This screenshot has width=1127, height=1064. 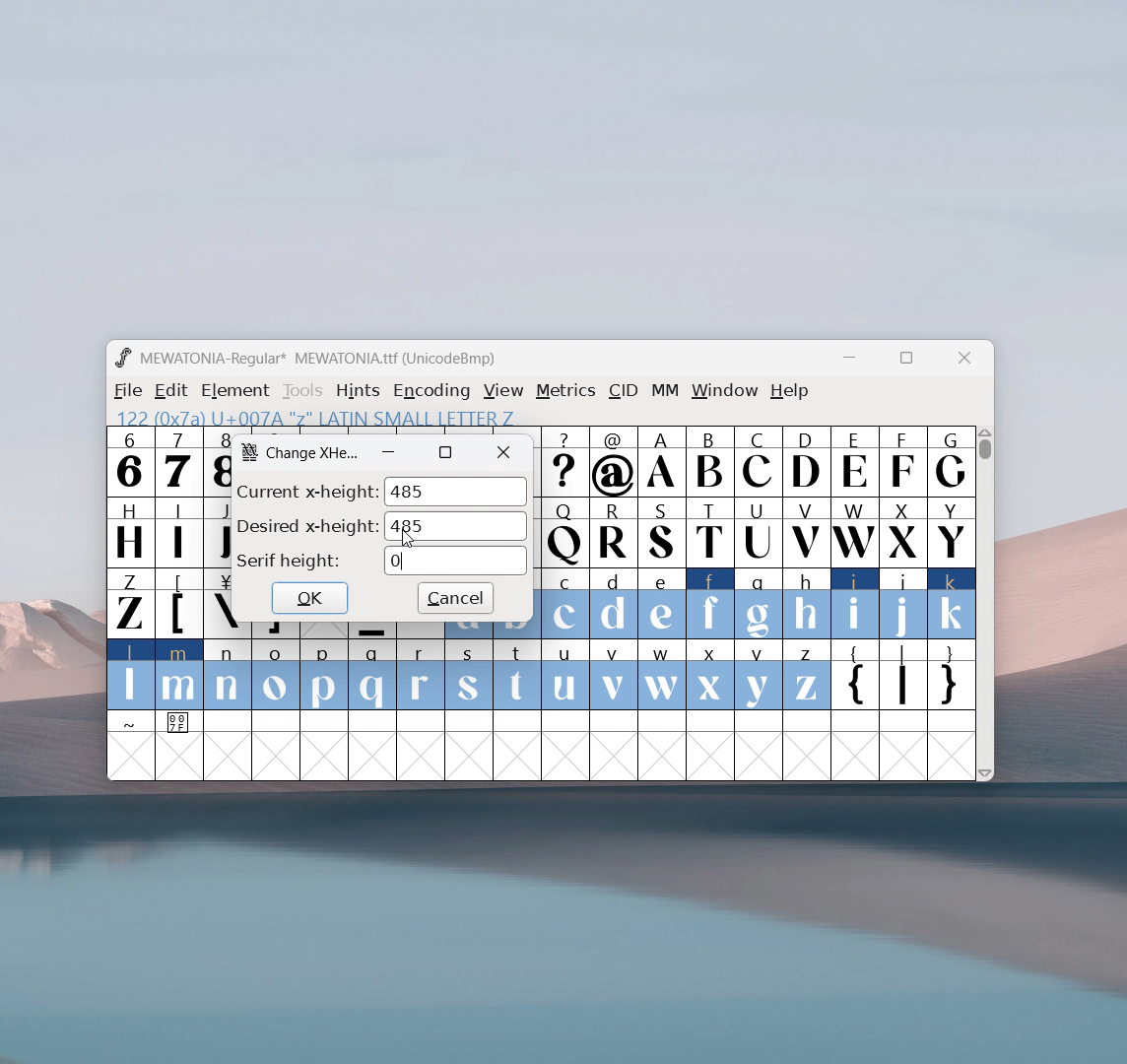 What do you see at coordinates (615, 462) in the screenshot?
I see `@` at bounding box center [615, 462].